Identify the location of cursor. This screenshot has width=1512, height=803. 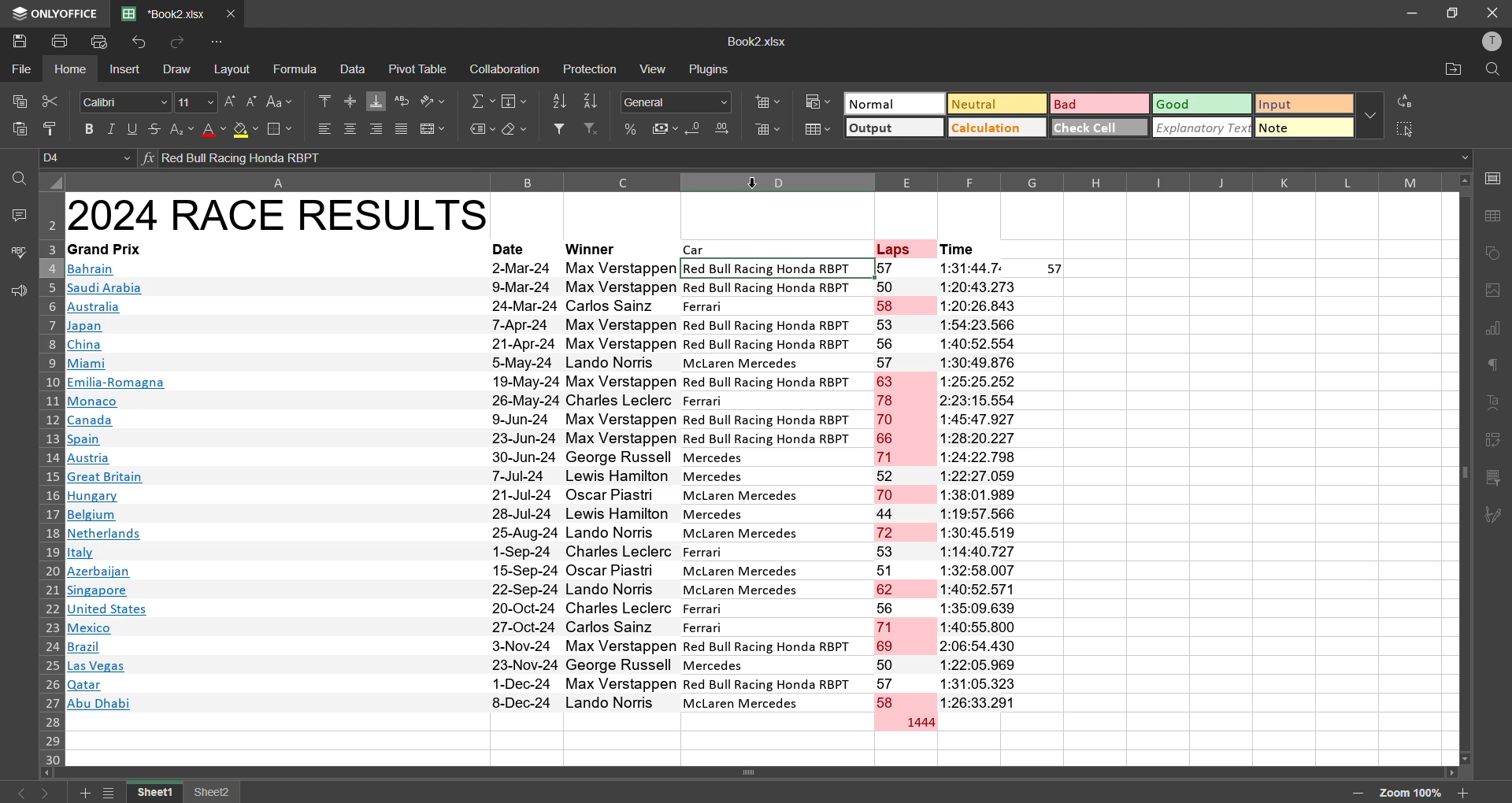
(754, 181).